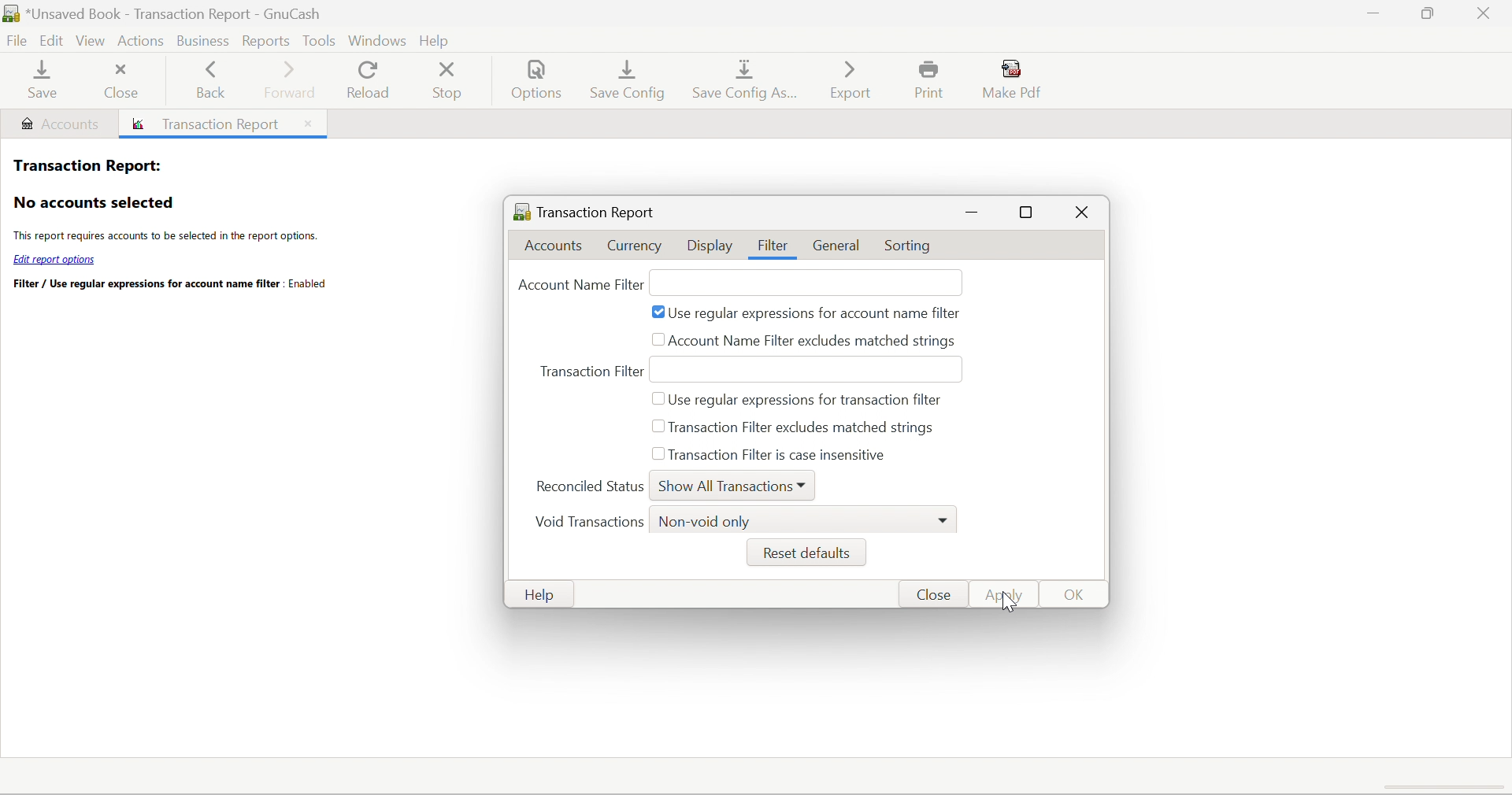  What do you see at coordinates (777, 453) in the screenshot?
I see `Transaction filter is case insensitive` at bounding box center [777, 453].